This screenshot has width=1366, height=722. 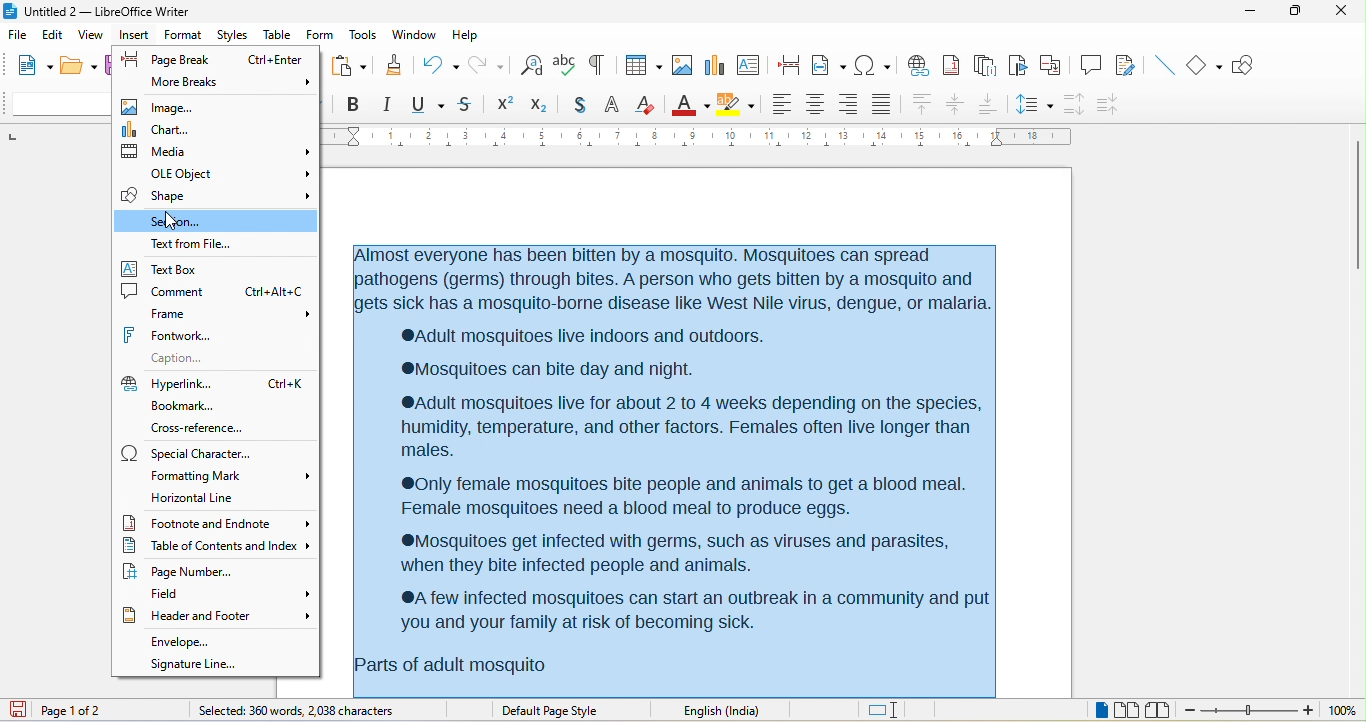 What do you see at coordinates (346, 65) in the screenshot?
I see `paste` at bounding box center [346, 65].